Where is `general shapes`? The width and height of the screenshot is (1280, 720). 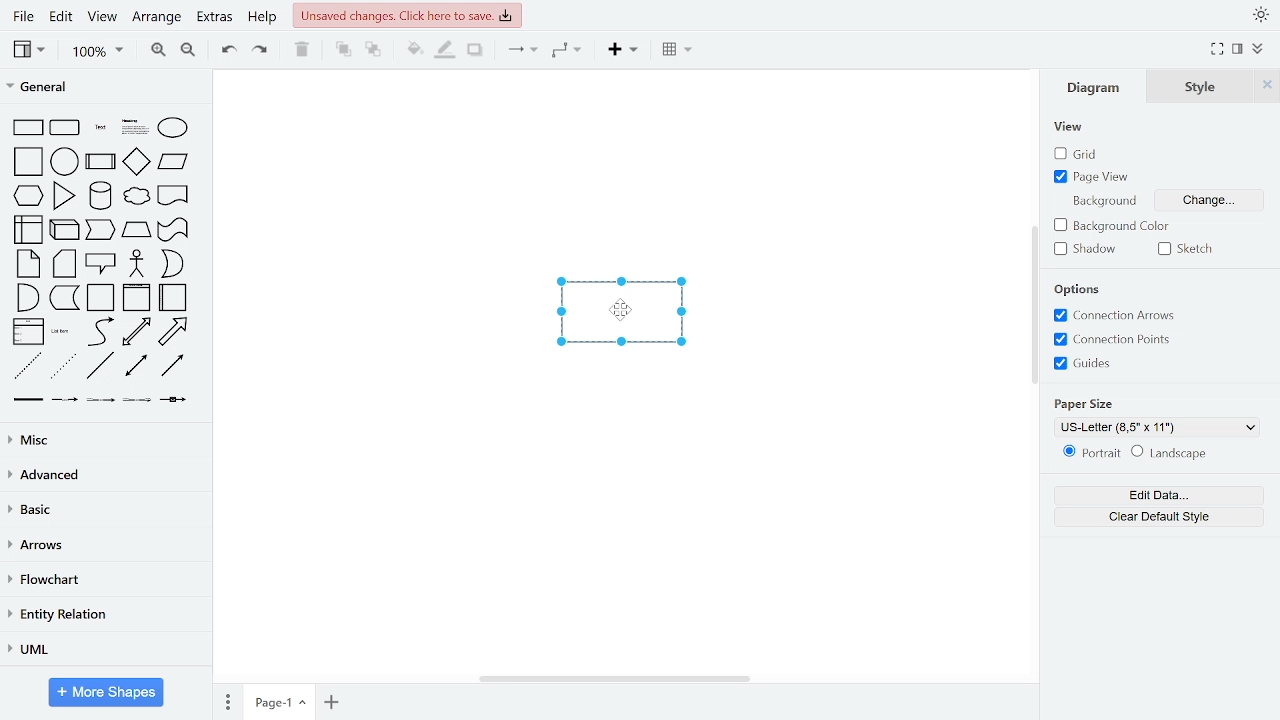
general shapes is located at coordinates (29, 398).